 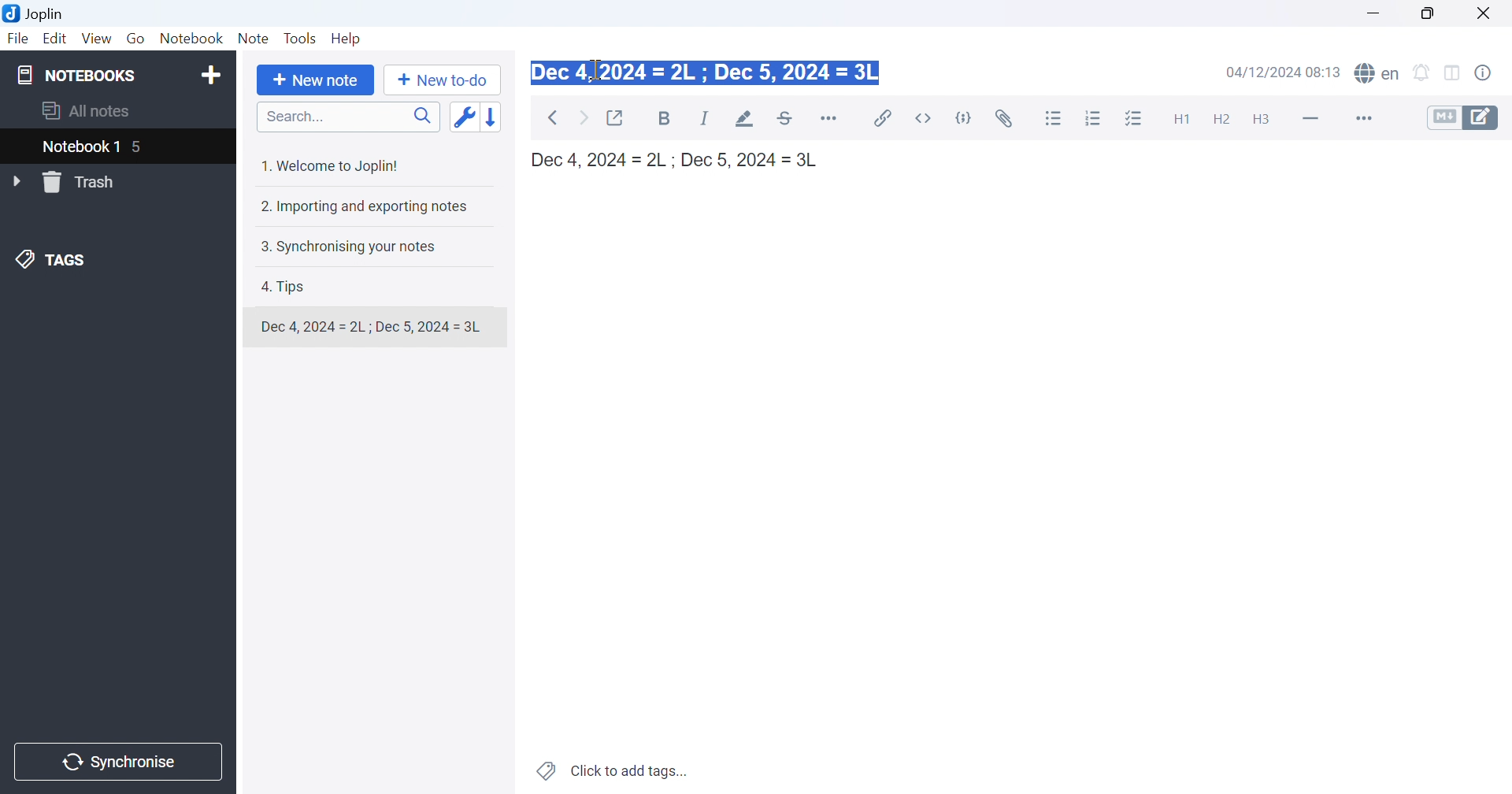 What do you see at coordinates (1425, 72) in the screenshot?
I see `Set alarm` at bounding box center [1425, 72].